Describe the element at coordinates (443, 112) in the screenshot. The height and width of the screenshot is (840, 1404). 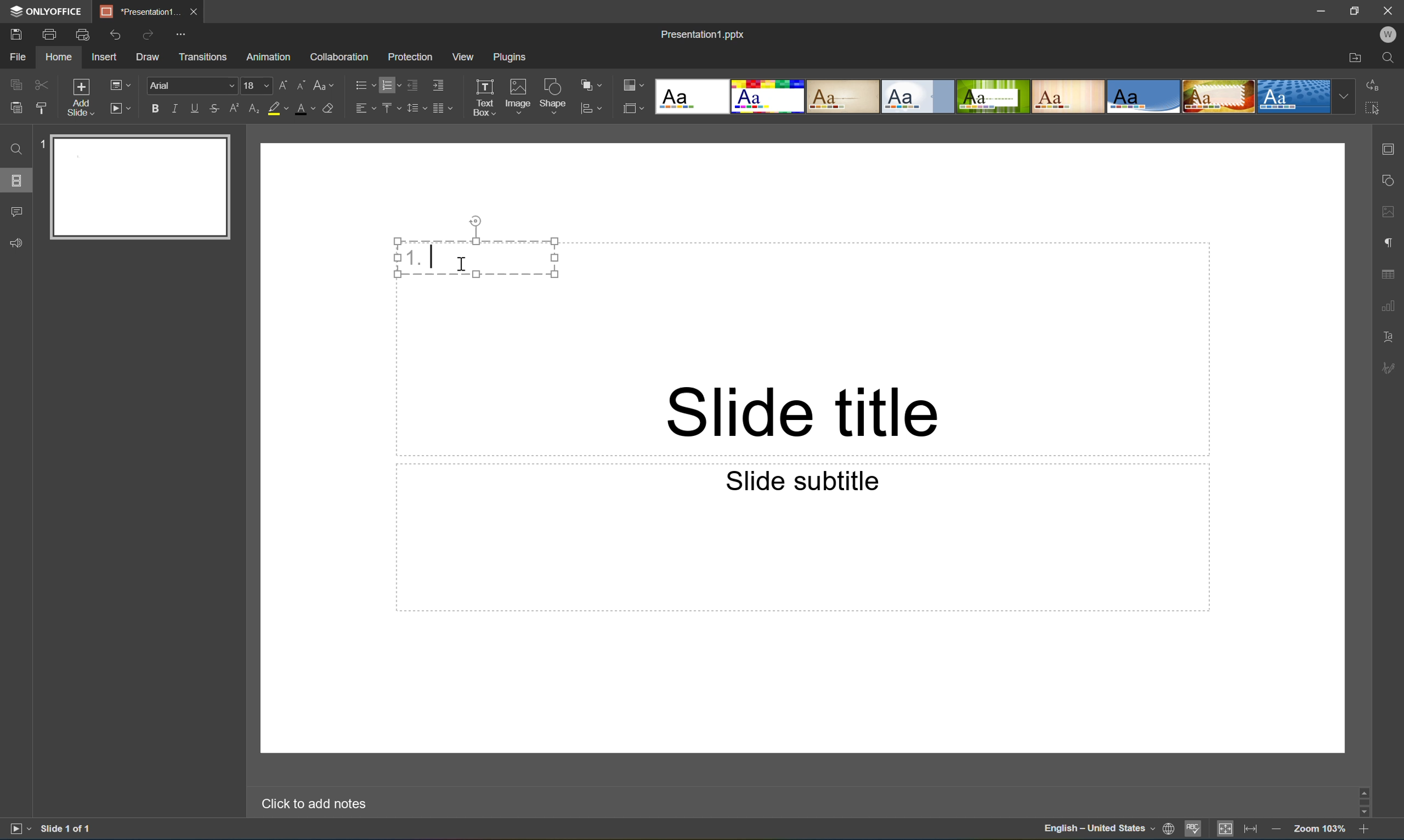
I see `Insert columns` at that location.